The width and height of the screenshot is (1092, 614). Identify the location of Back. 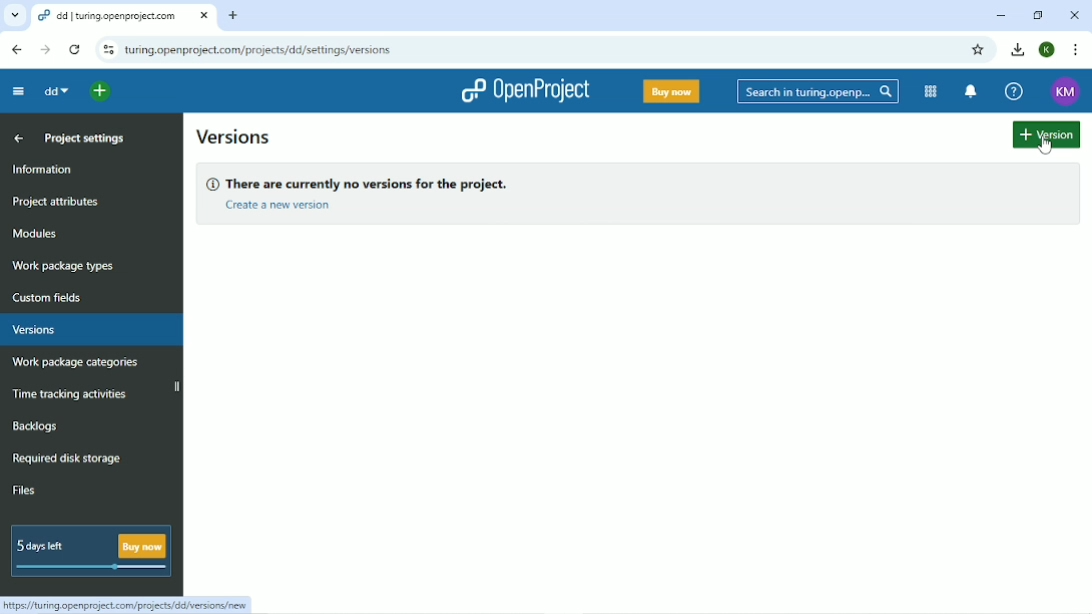
(18, 50).